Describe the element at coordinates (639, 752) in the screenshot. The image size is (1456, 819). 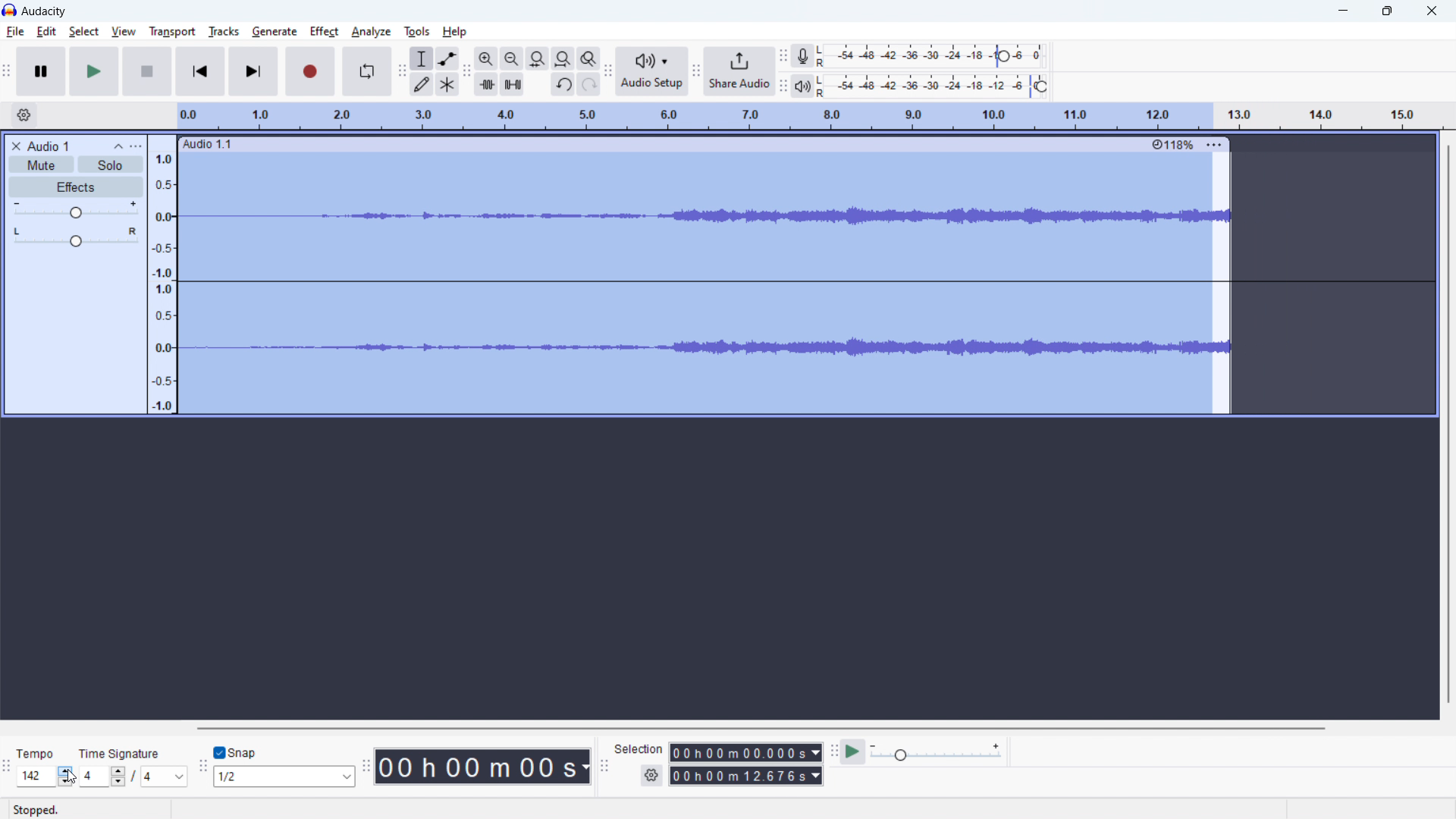
I see `Seledon` at that location.